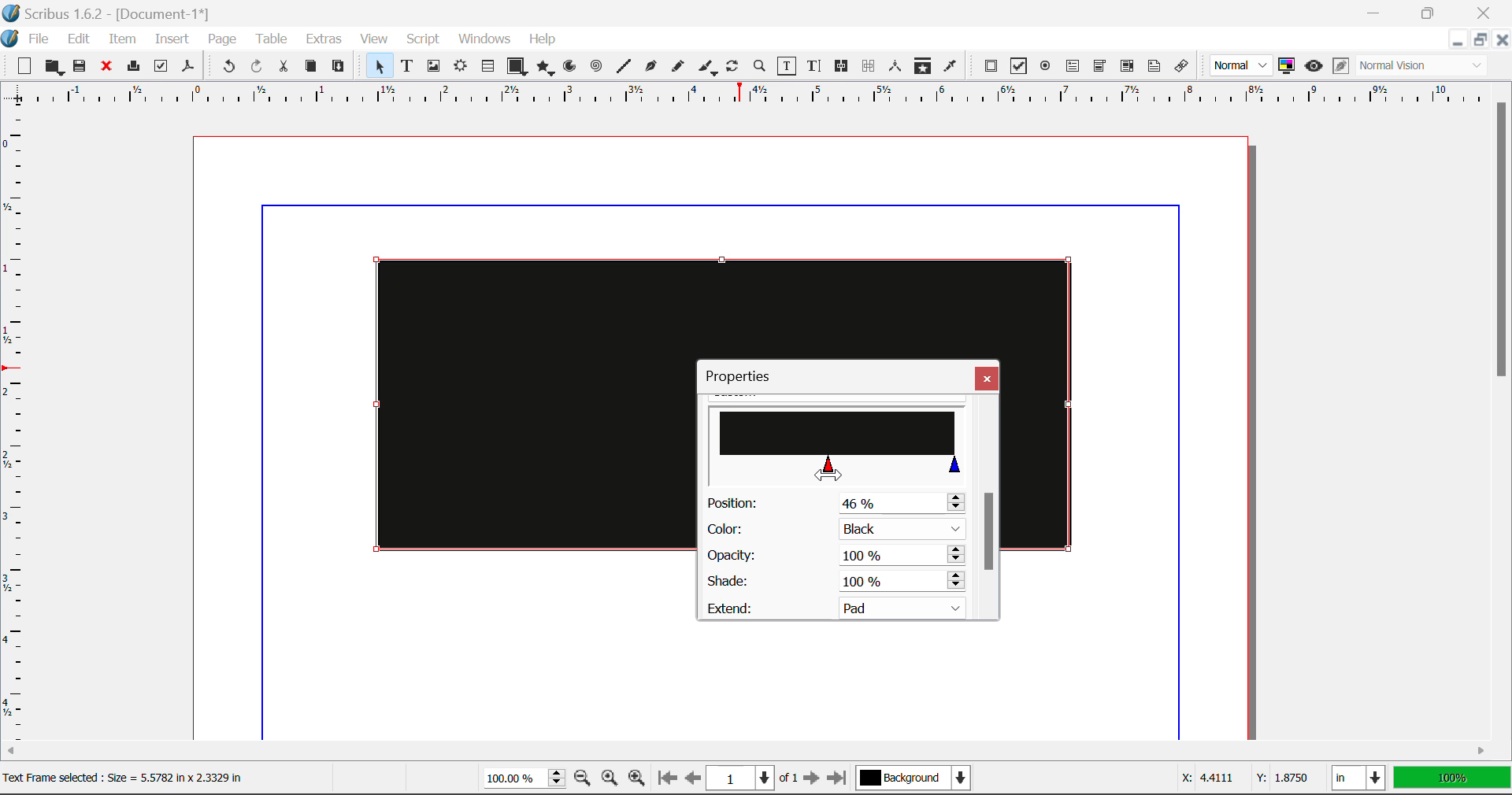 This screenshot has width=1512, height=795. I want to click on PDF Checkbox, so click(1017, 66).